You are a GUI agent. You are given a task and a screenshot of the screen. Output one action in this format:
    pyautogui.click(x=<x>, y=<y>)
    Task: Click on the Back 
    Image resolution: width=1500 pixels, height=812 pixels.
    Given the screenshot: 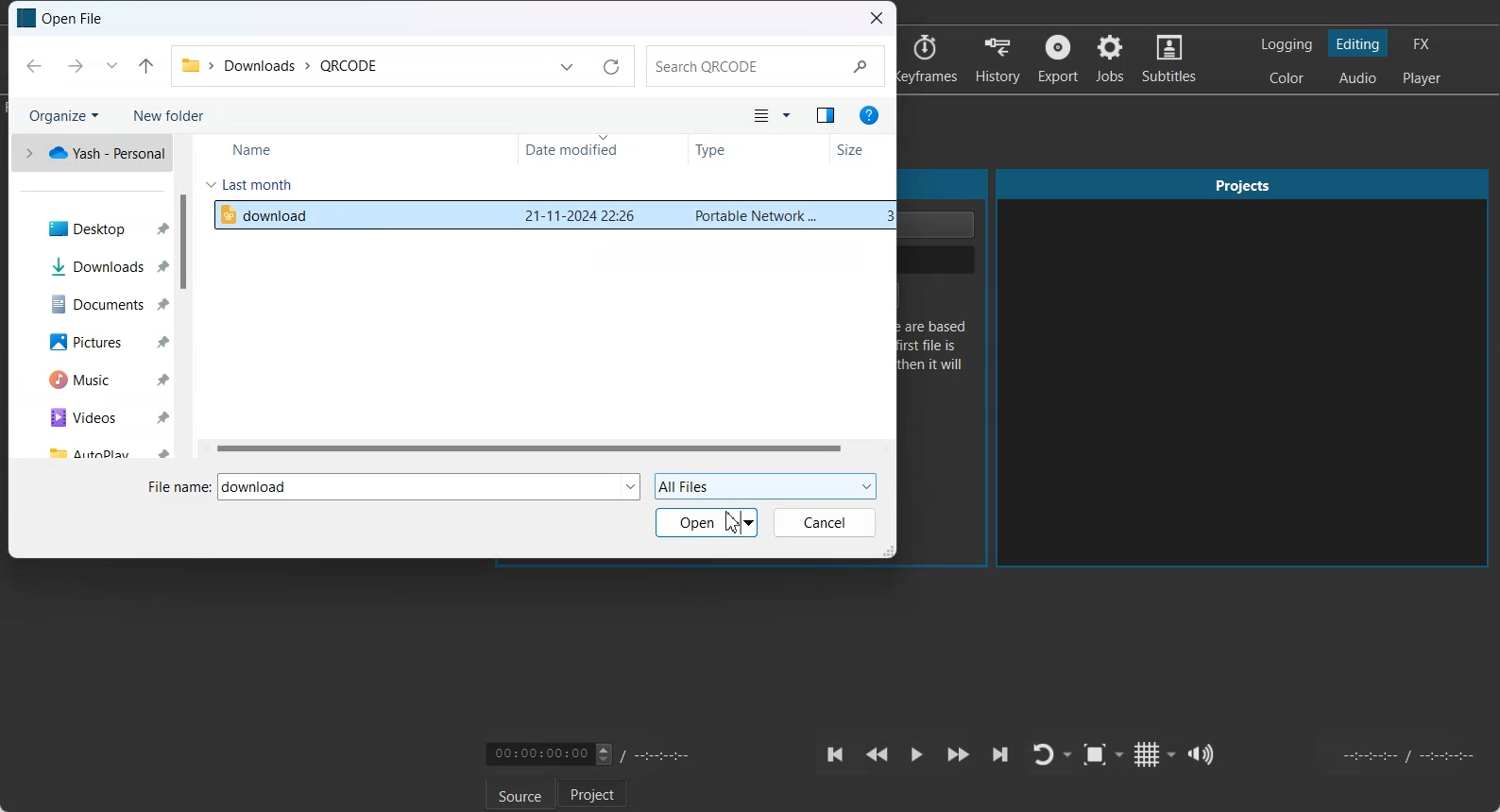 What is the action you would take?
    pyautogui.click(x=34, y=65)
    